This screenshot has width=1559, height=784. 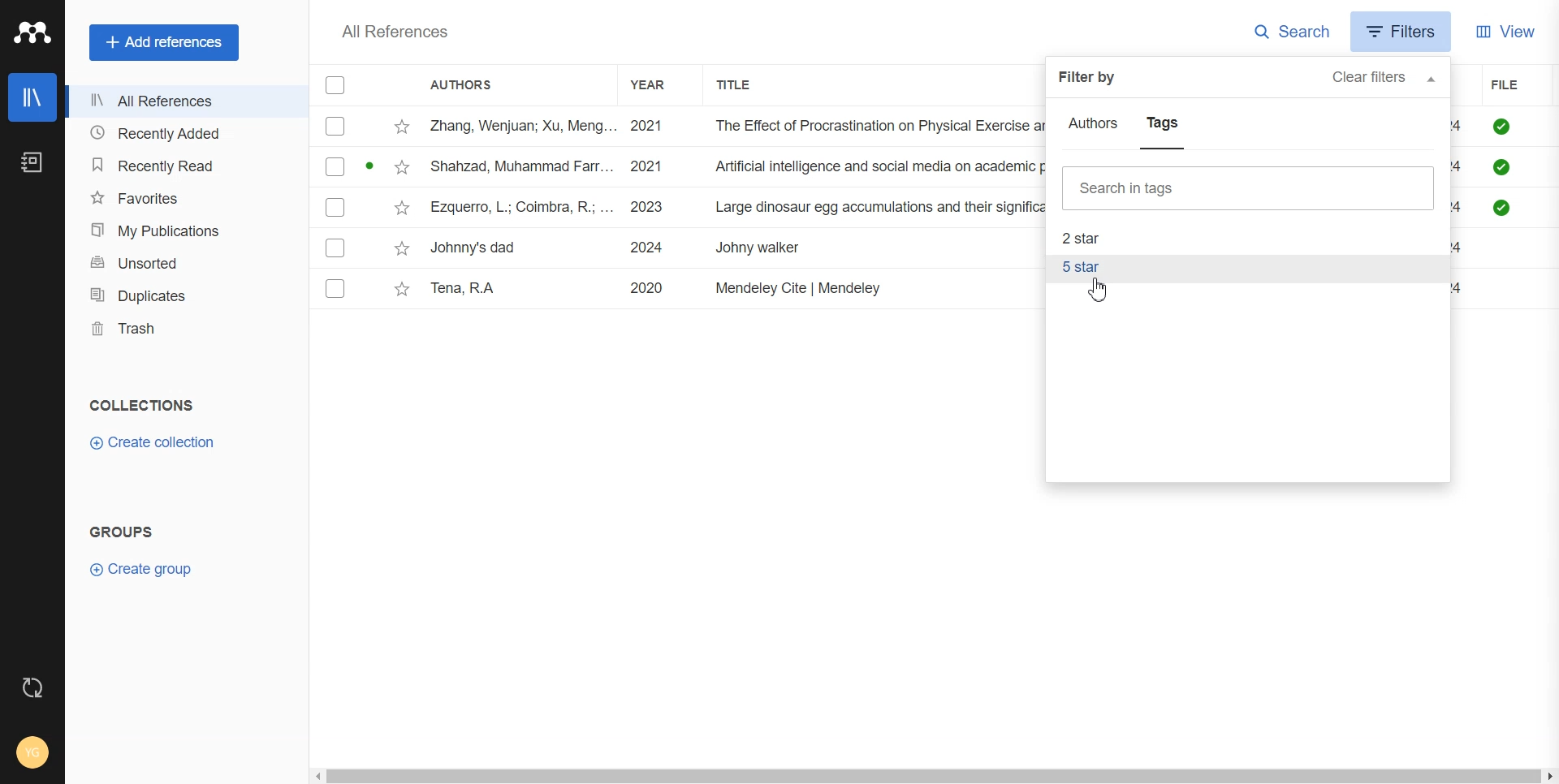 What do you see at coordinates (1161, 127) in the screenshot?
I see `Tags` at bounding box center [1161, 127].